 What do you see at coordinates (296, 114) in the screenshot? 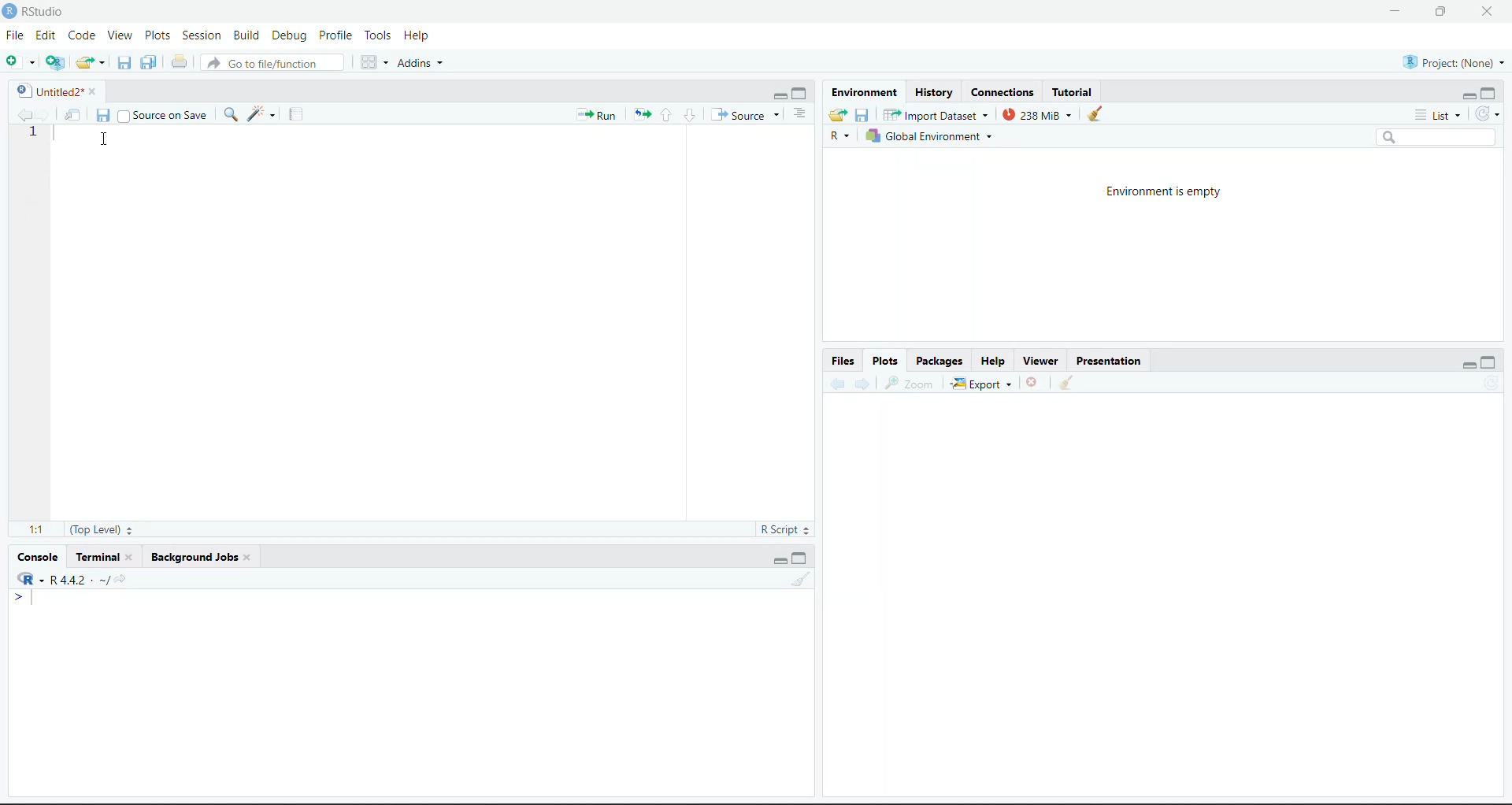
I see `compile report` at bounding box center [296, 114].